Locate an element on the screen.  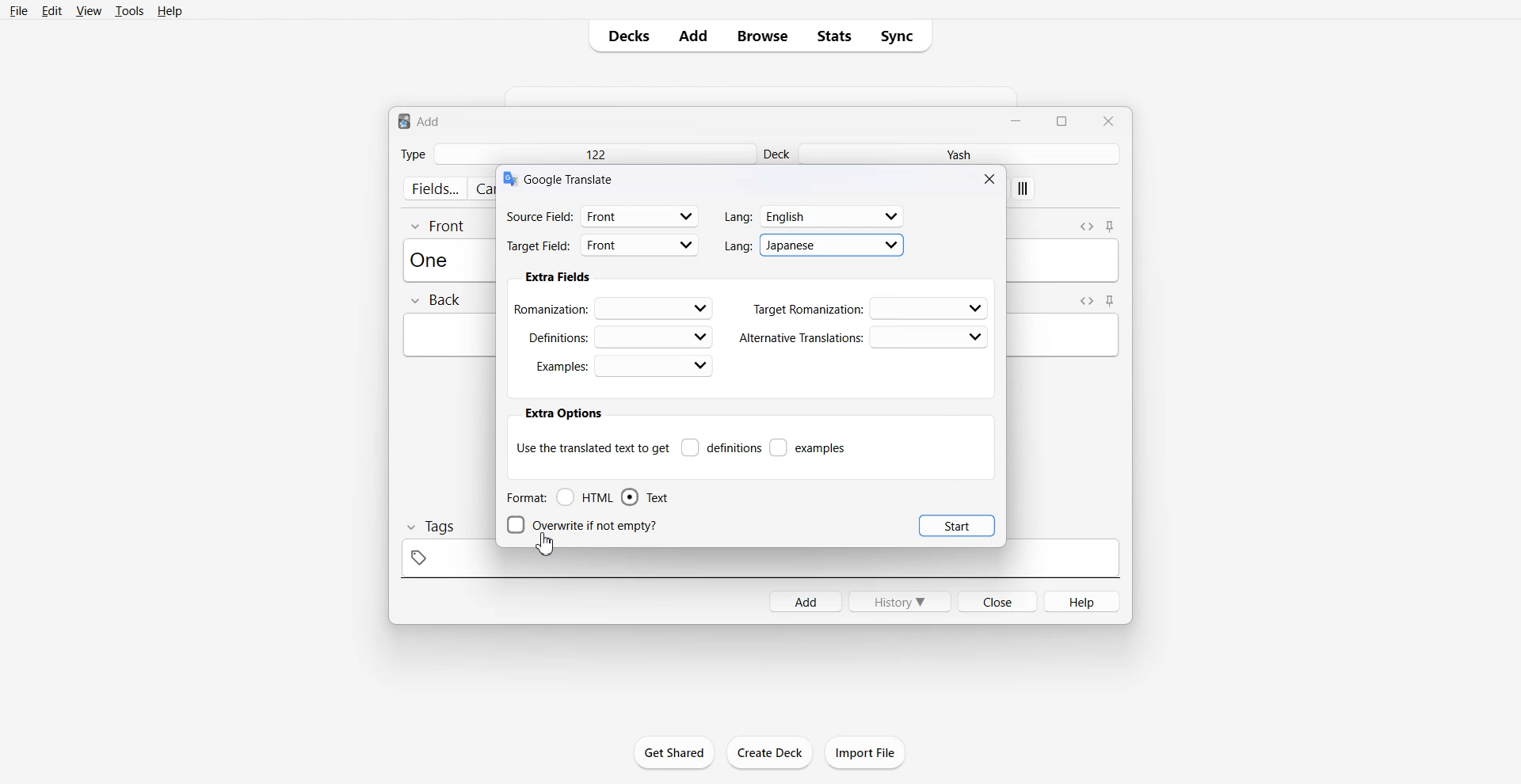
Browse is located at coordinates (763, 36).